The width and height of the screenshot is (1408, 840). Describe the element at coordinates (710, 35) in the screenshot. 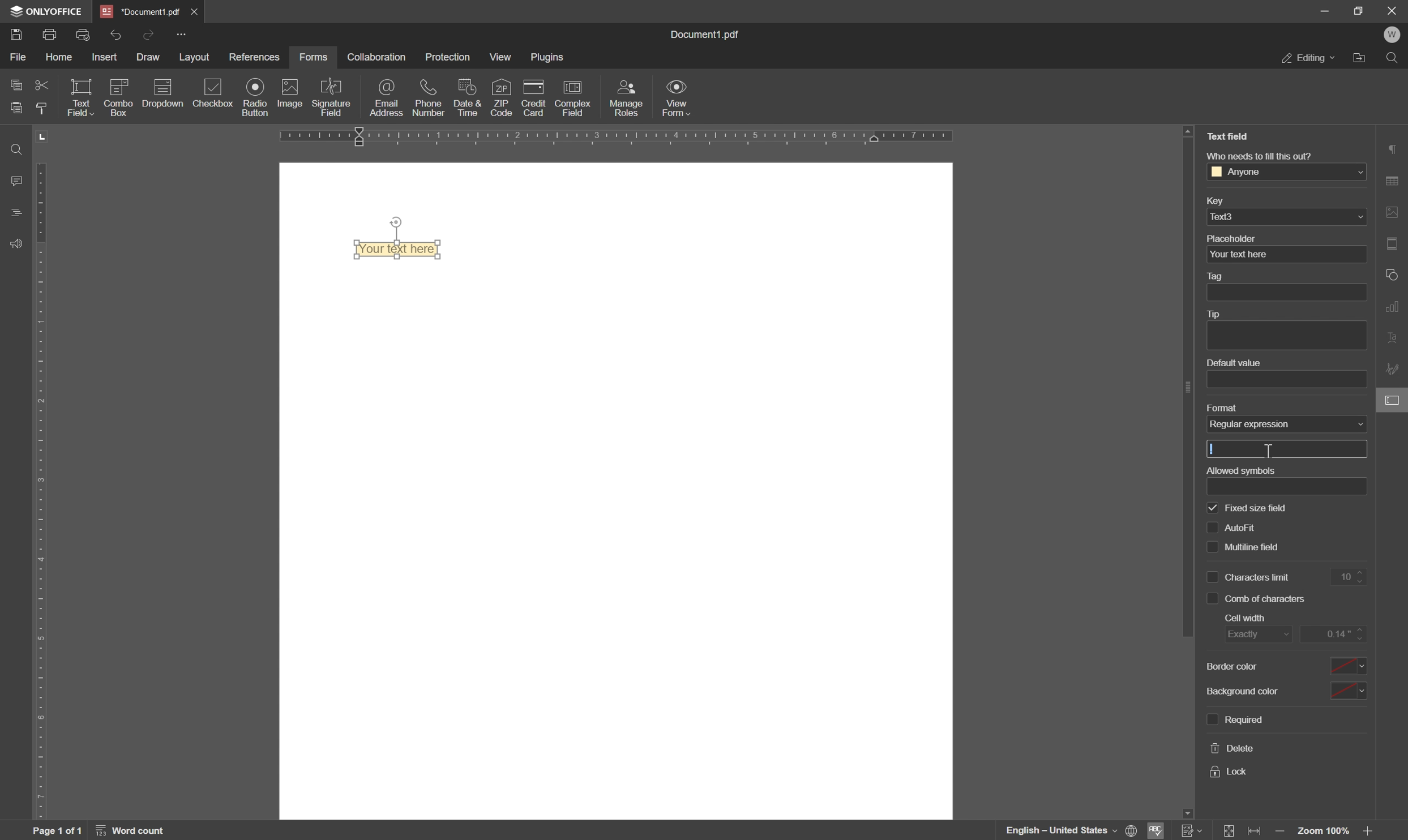

I see `` at that location.